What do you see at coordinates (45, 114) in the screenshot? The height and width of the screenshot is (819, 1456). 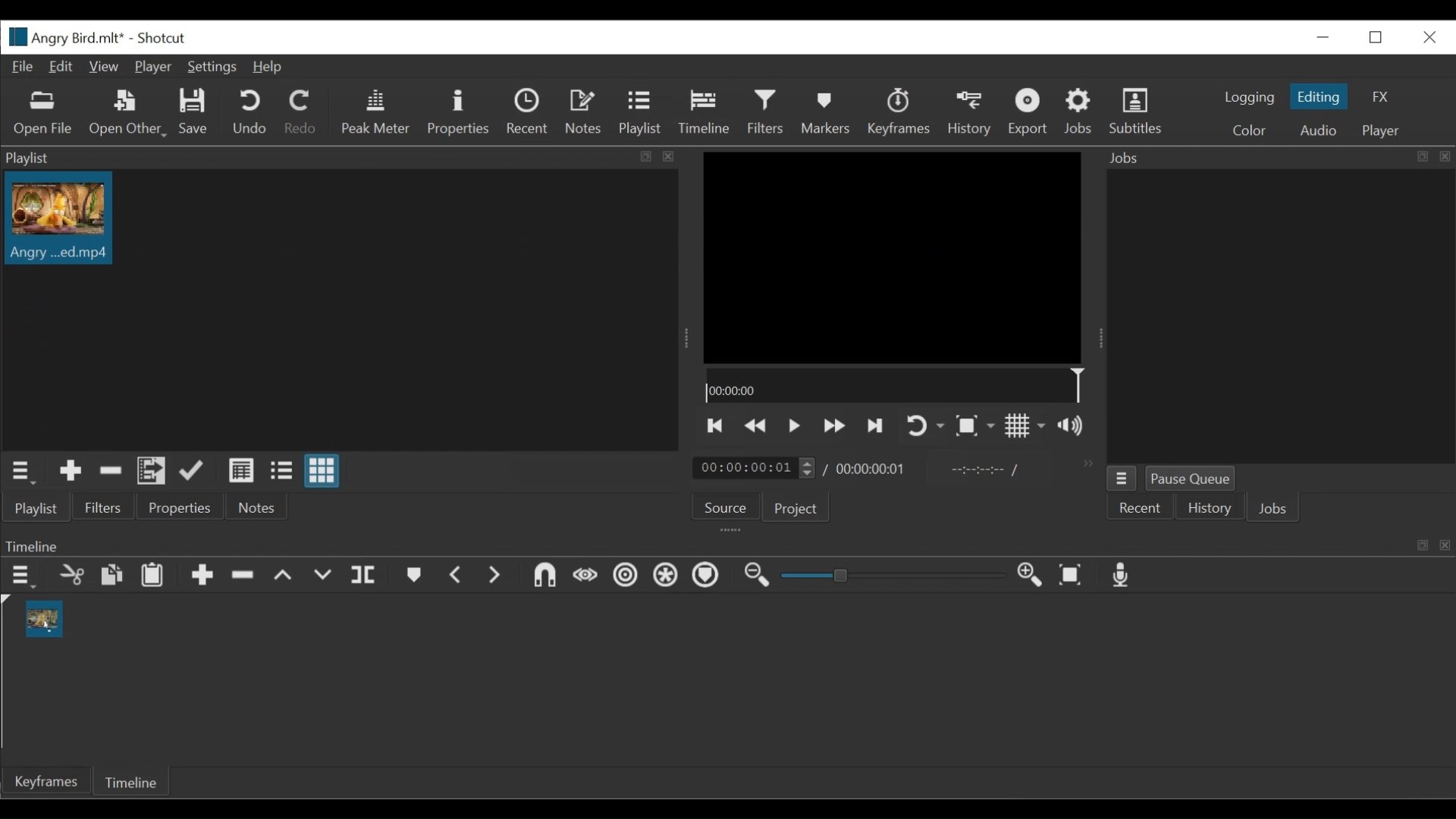 I see `Open Other File` at bounding box center [45, 114].